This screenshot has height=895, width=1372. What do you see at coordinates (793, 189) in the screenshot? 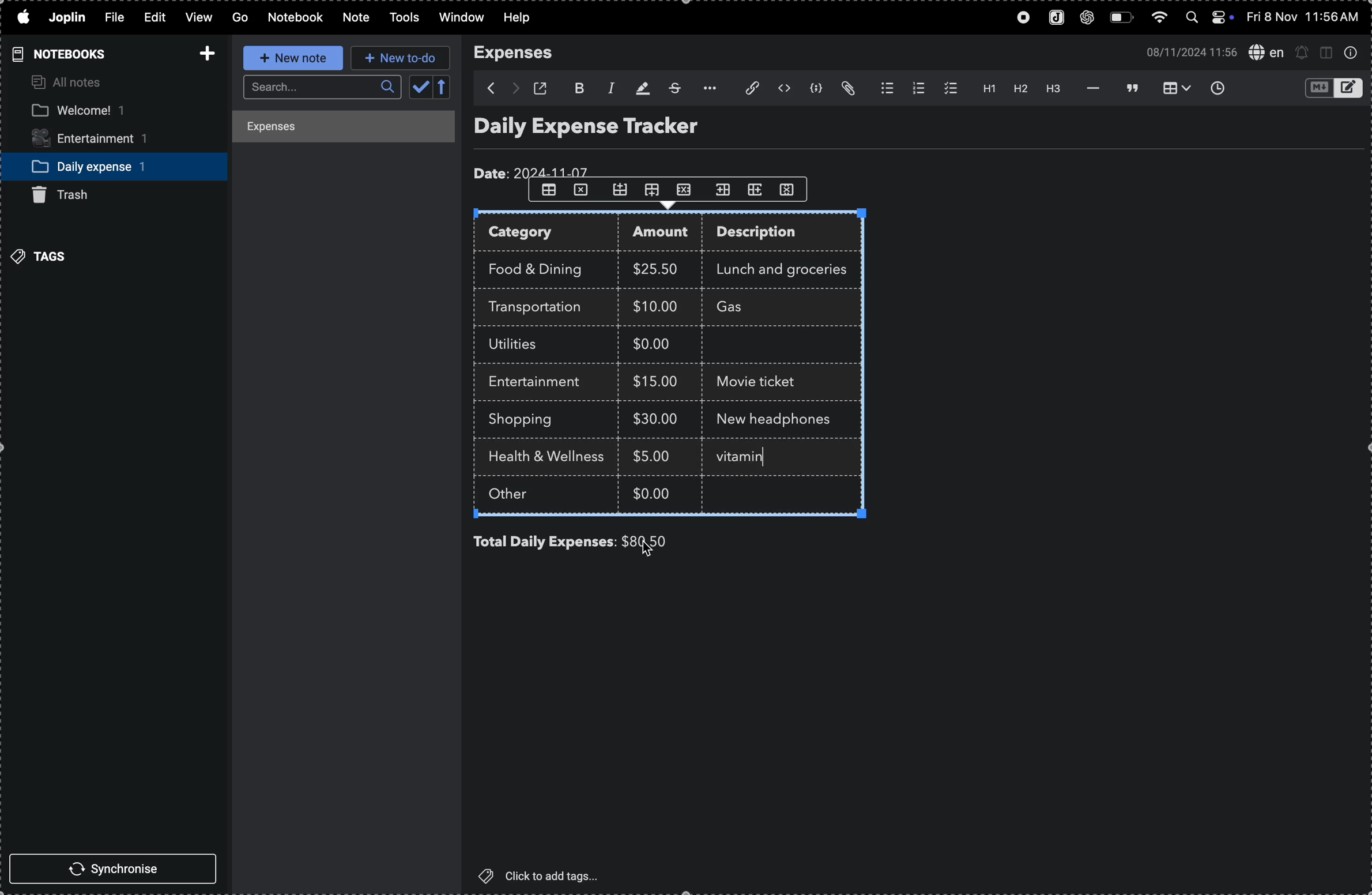
I see `delete coloumn` at bounding box center [793, 189].